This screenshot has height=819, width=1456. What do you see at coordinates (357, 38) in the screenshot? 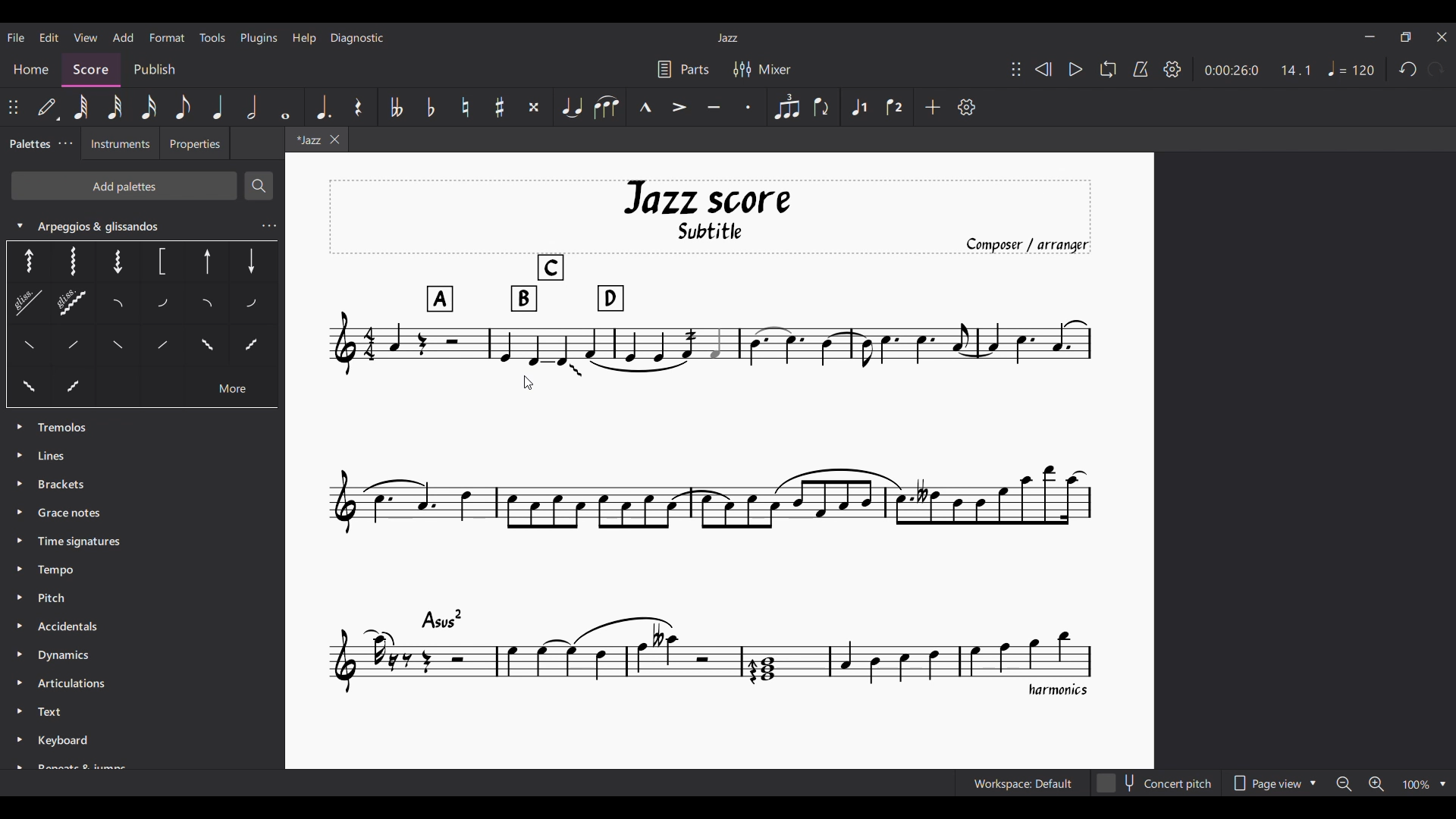
I see `Diagnostic menu` at bounding box center [357, 38].